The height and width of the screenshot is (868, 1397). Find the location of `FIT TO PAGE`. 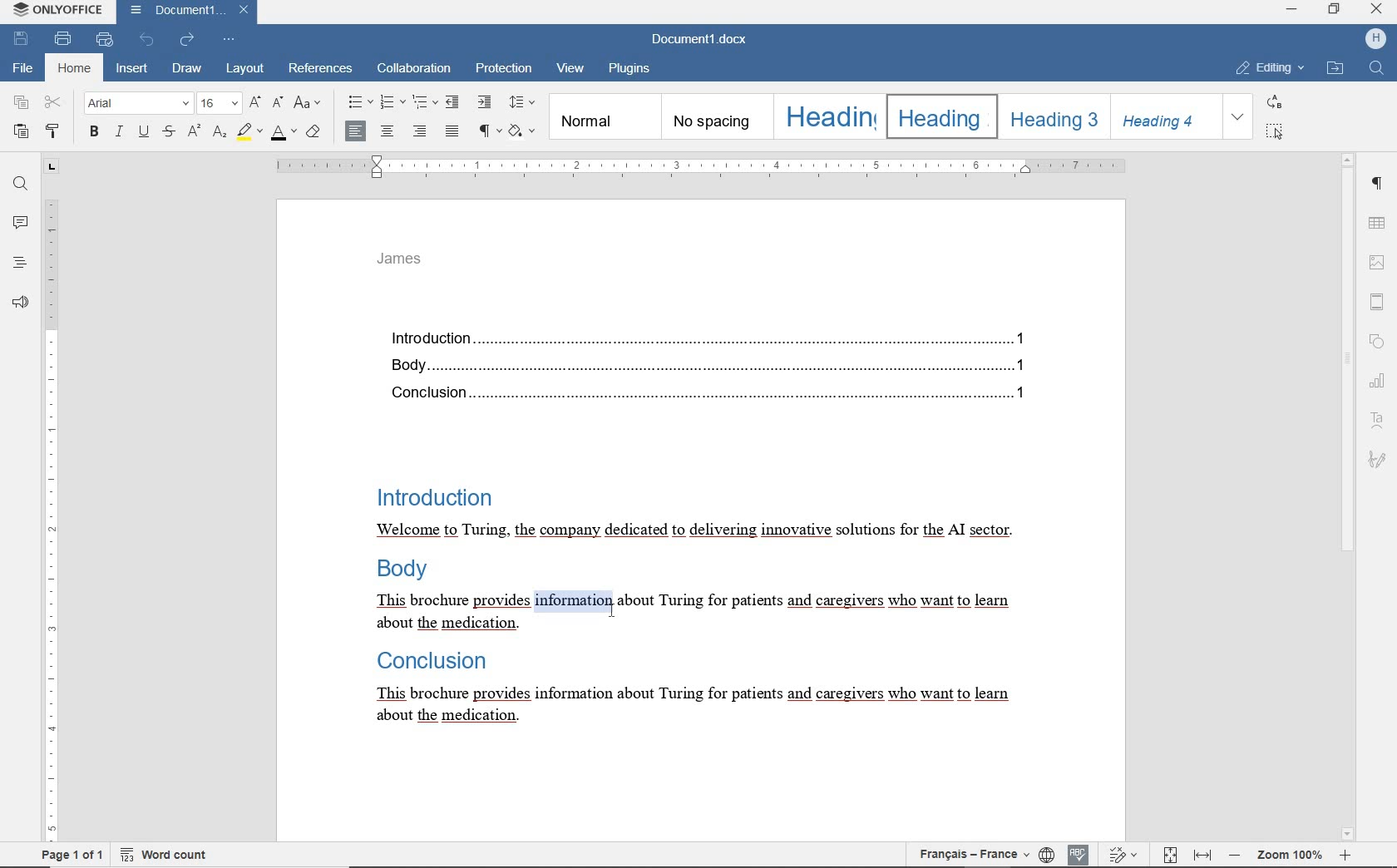

FIT TO PAGE is located at coordinates (1167, 855).